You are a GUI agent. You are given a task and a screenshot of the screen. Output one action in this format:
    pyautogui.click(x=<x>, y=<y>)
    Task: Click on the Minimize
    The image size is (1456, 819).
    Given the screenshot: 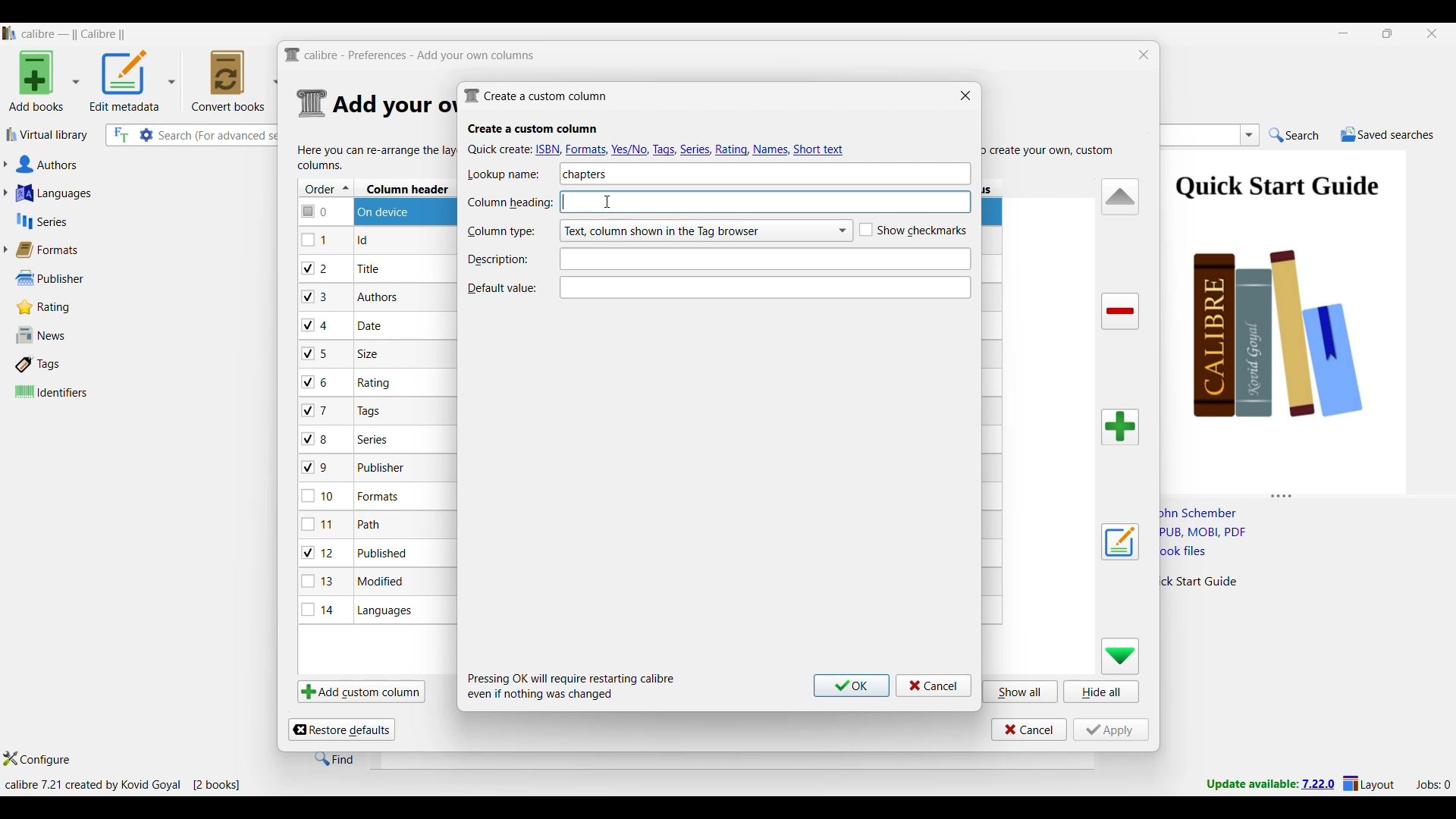 What is the action you would take?
    pyautogui.click(x=1344, y=33)
    